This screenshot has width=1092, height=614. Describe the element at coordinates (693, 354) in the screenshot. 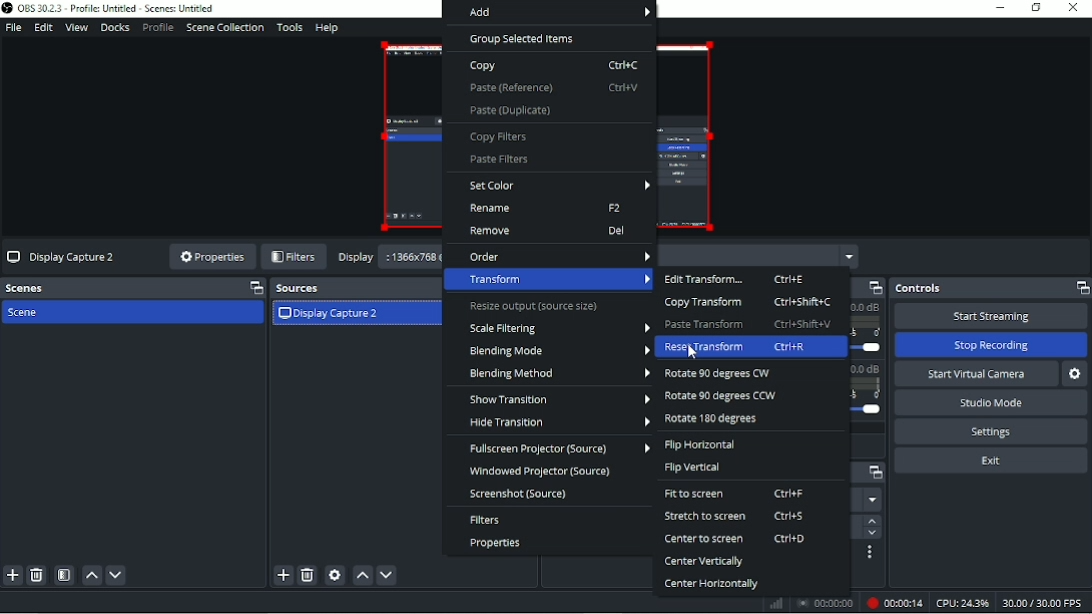

I see `Pointer` at that location.